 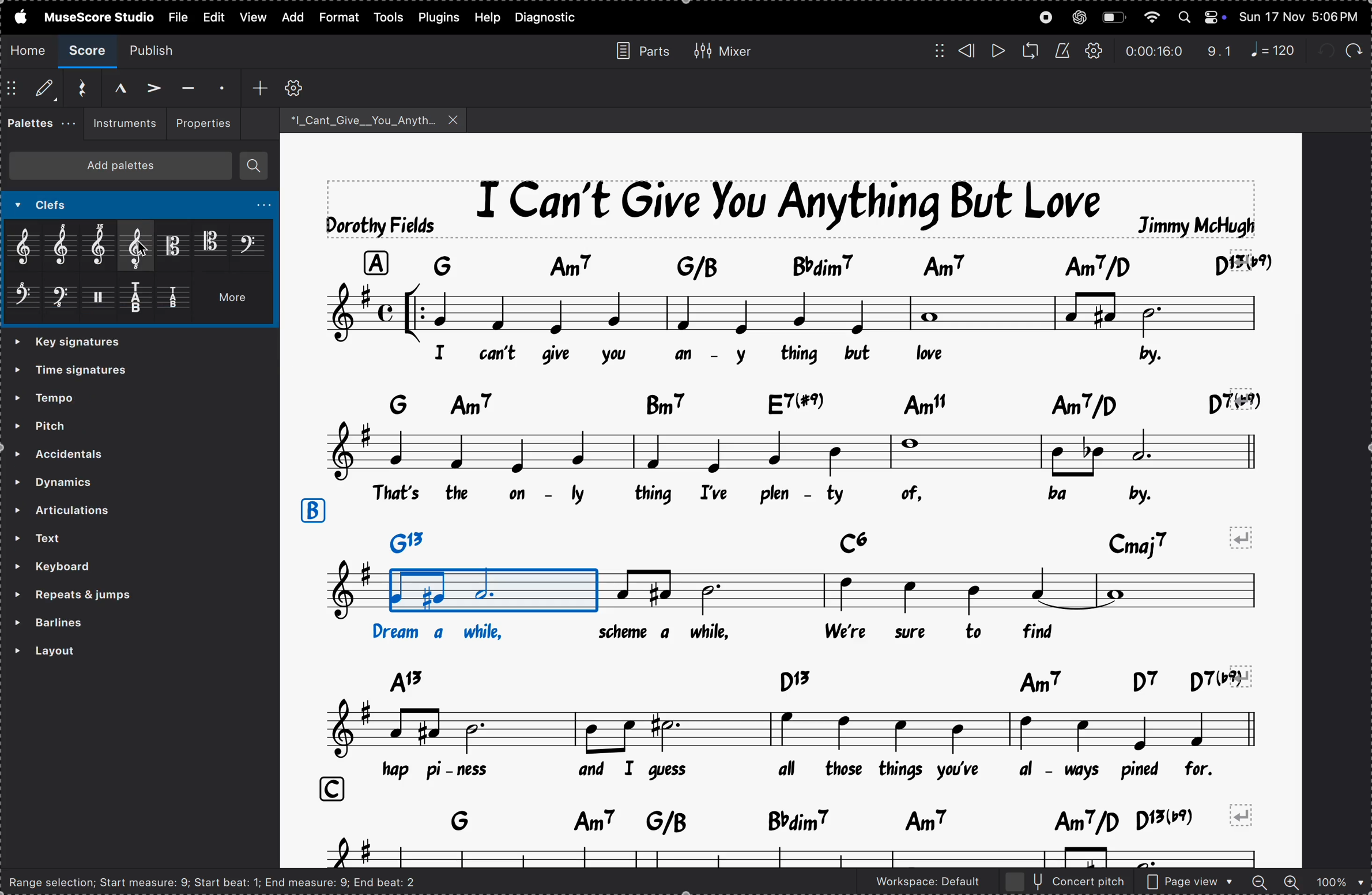 I want to click on » Time signatures, so click(x=75, y=343).